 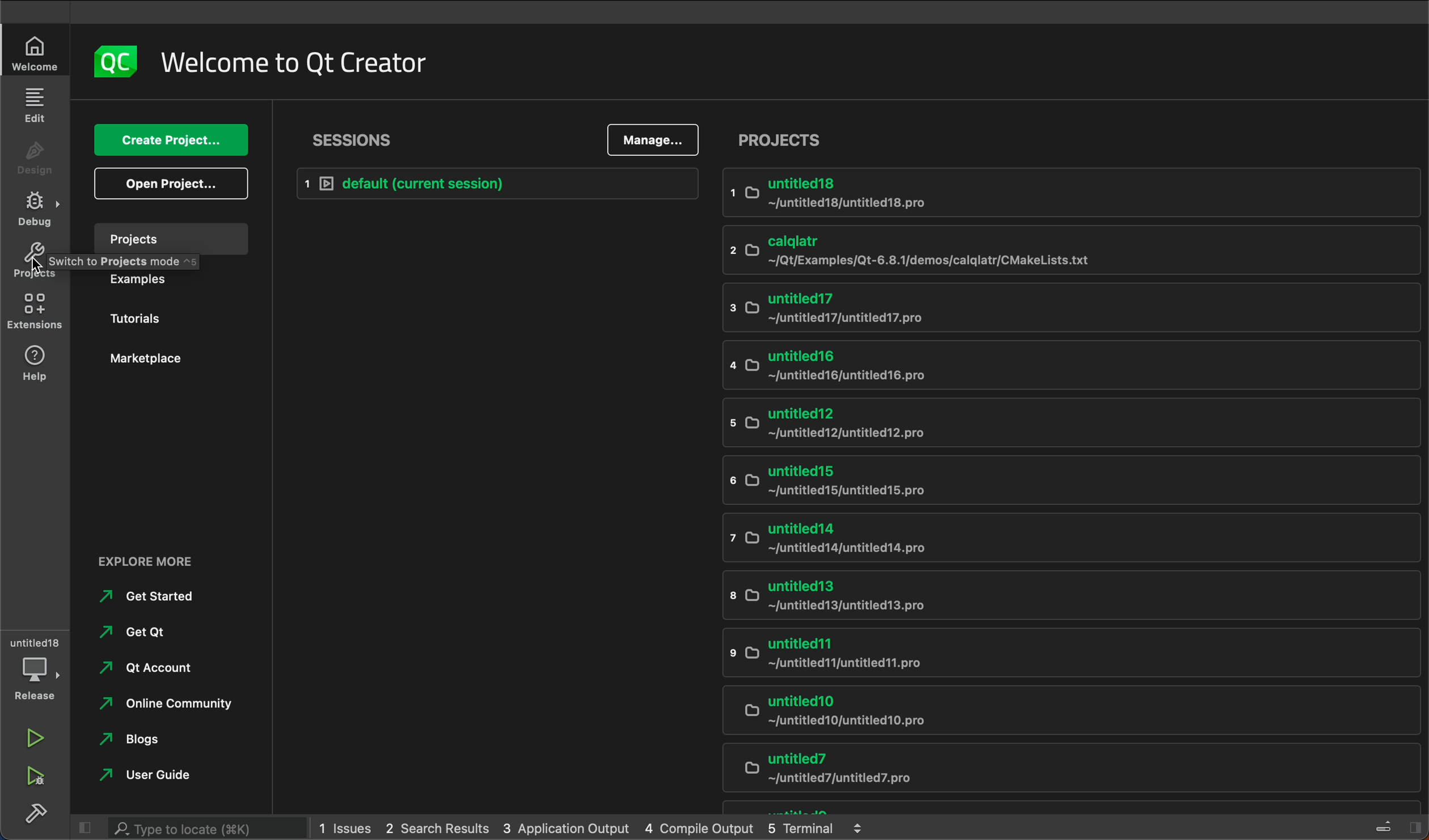 What do you see at coordinates (33, 209) in the screenshot?
I see `debug` at bounding box center [33, 209].